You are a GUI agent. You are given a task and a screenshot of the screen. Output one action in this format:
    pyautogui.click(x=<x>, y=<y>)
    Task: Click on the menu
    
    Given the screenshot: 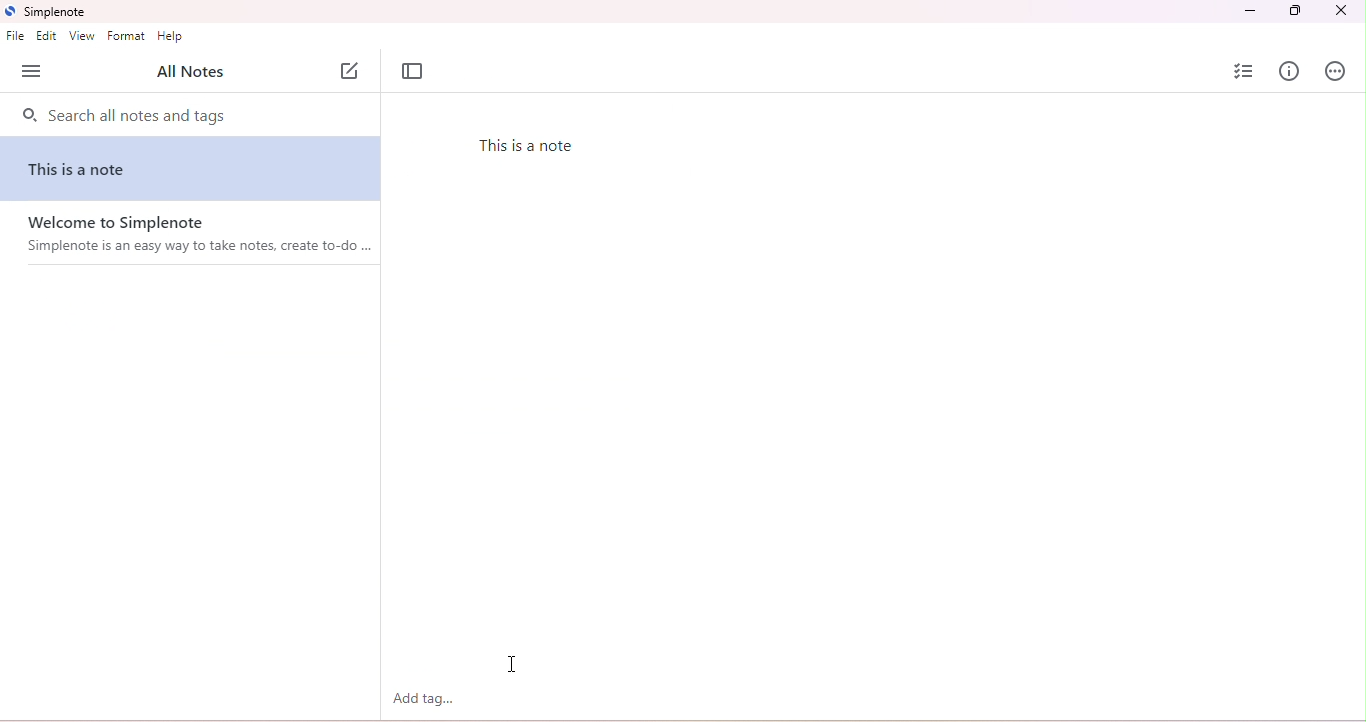 What is the action you would take?
    pyautogui.click(x=32, y=72)
    